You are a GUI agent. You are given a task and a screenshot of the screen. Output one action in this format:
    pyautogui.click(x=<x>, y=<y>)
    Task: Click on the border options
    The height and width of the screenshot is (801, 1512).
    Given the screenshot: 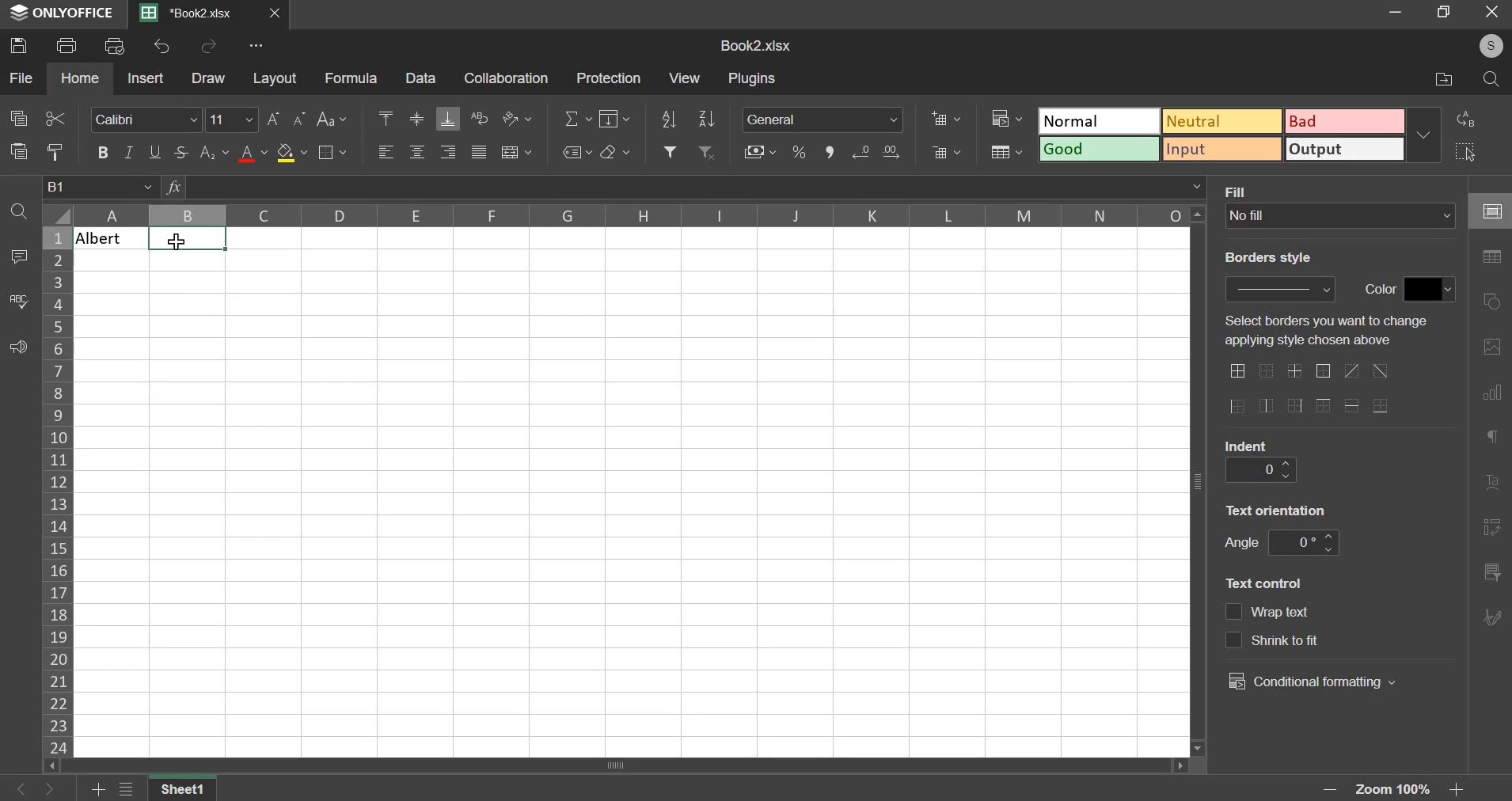 What is the action you would take?
    pyautogui.click(x=1311, y=390)
    